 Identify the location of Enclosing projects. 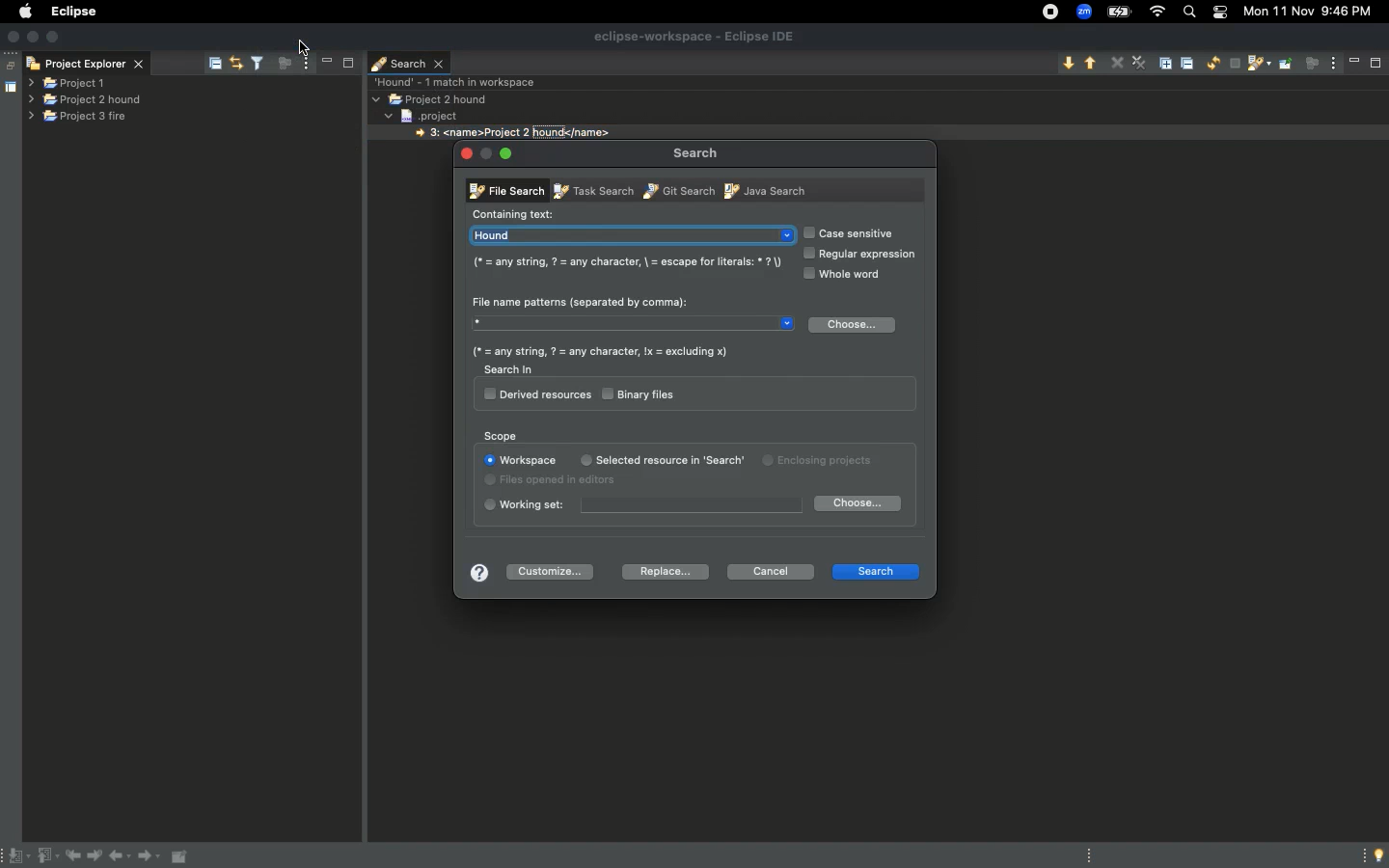
(771, 463).